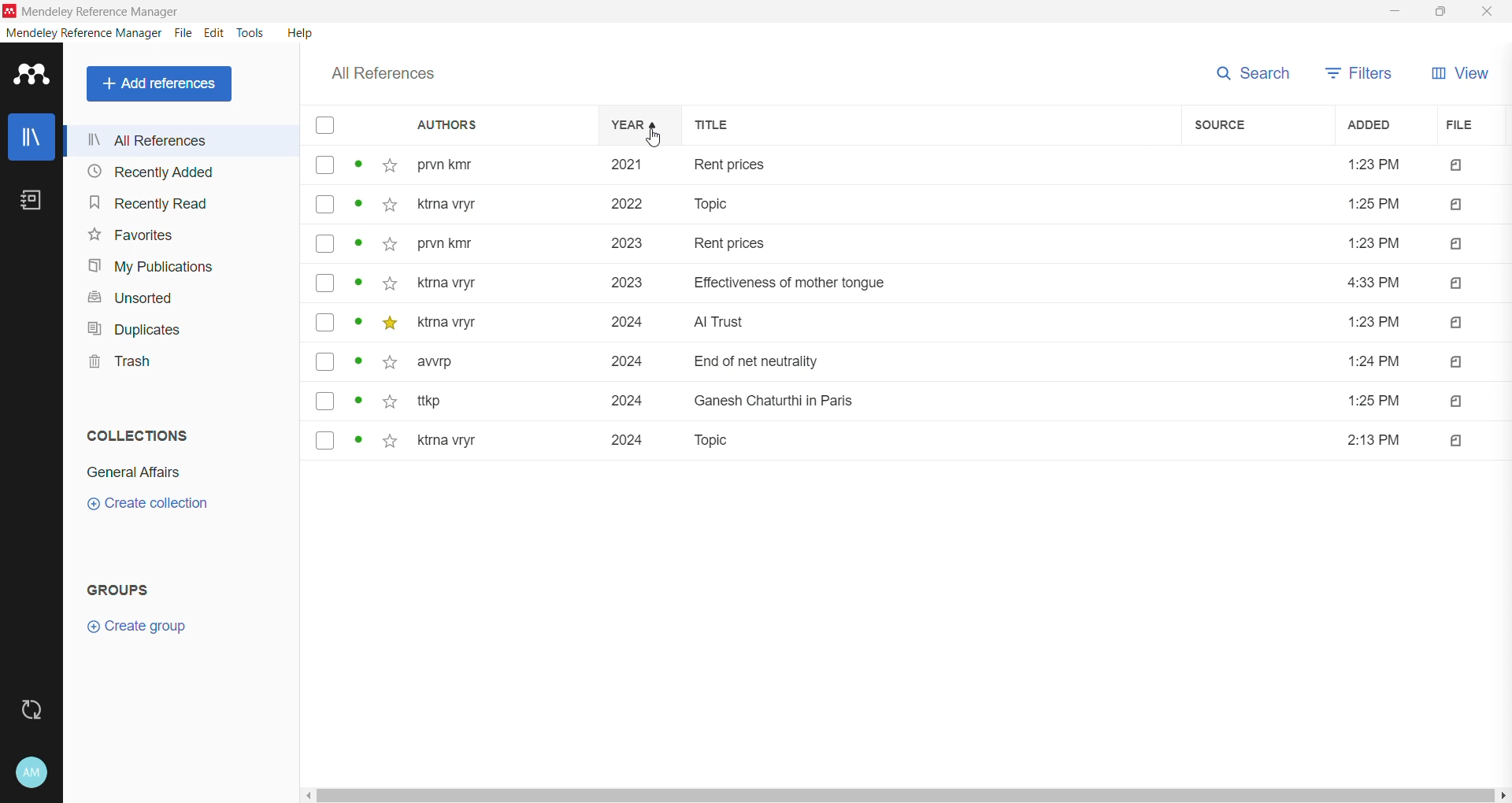 This screenshot has height=803, width=1512. What do you see at coordinates (1458, 205) in the screenshot?
I see `file type` at bounding box center [1458, 205].